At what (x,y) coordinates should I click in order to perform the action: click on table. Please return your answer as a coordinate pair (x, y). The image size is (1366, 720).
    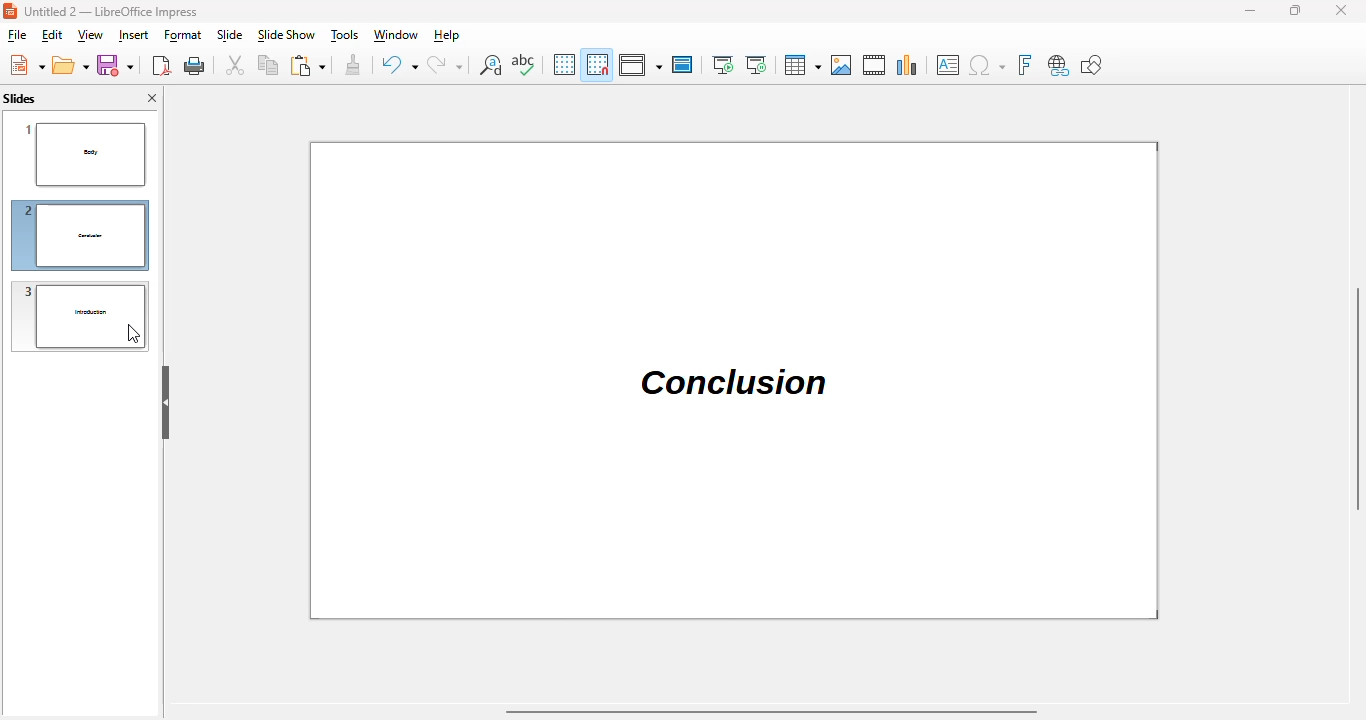
    Looking at the image, I should click on (803, 65).